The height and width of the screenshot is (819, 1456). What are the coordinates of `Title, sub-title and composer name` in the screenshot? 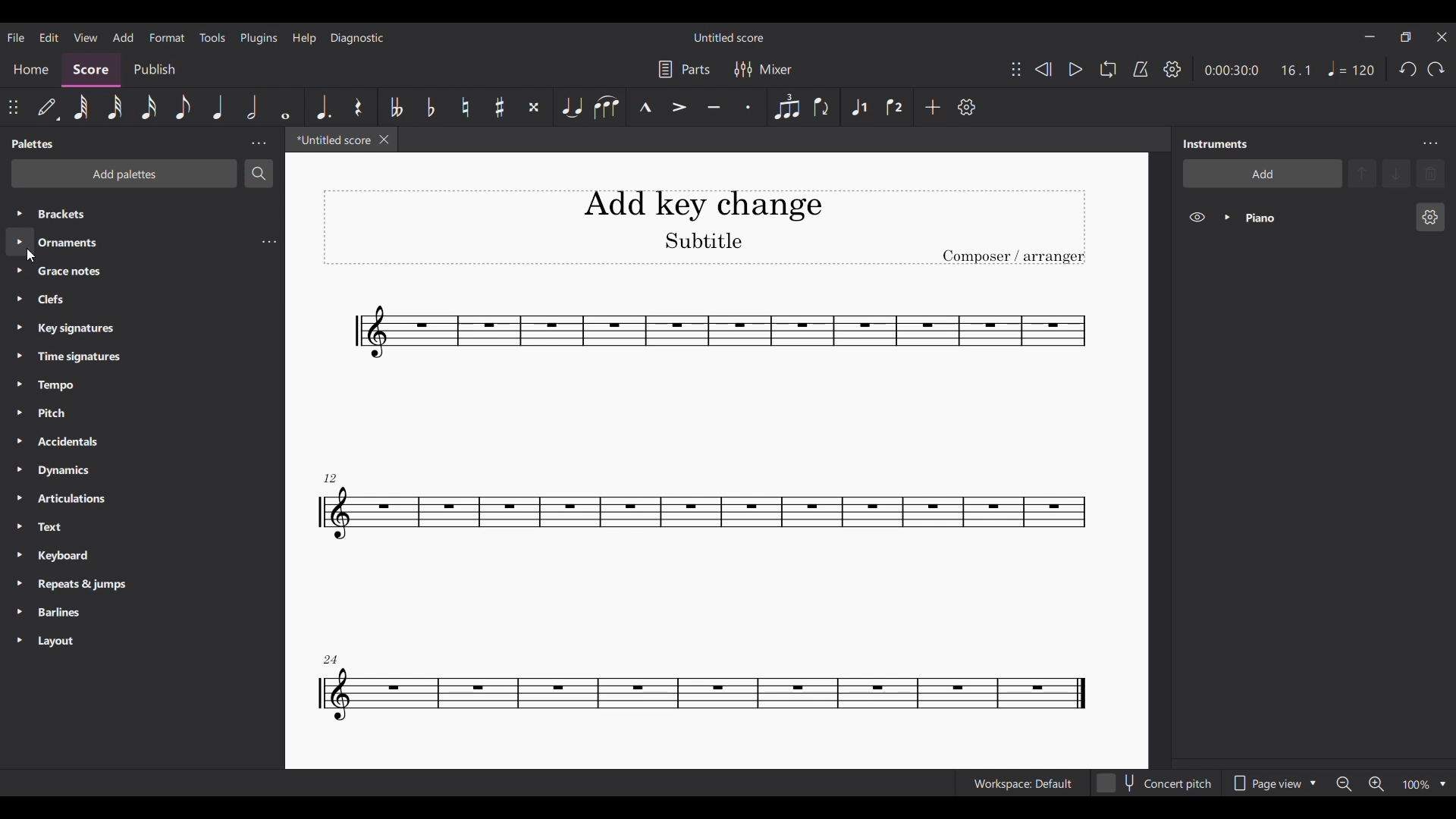 It's located at (704, 227).